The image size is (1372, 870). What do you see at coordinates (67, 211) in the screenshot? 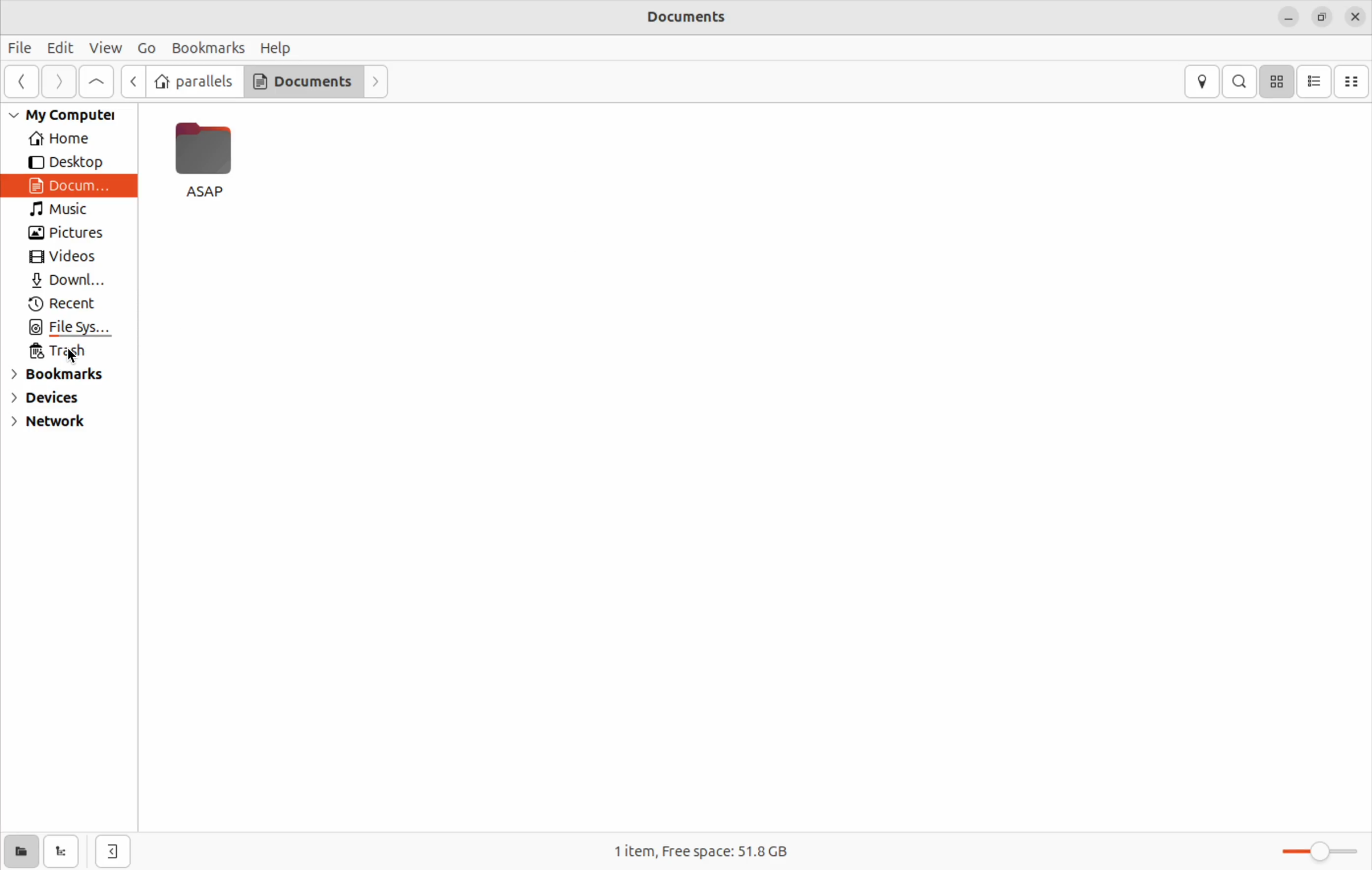
I see `music` at bounding box center [67, 211].